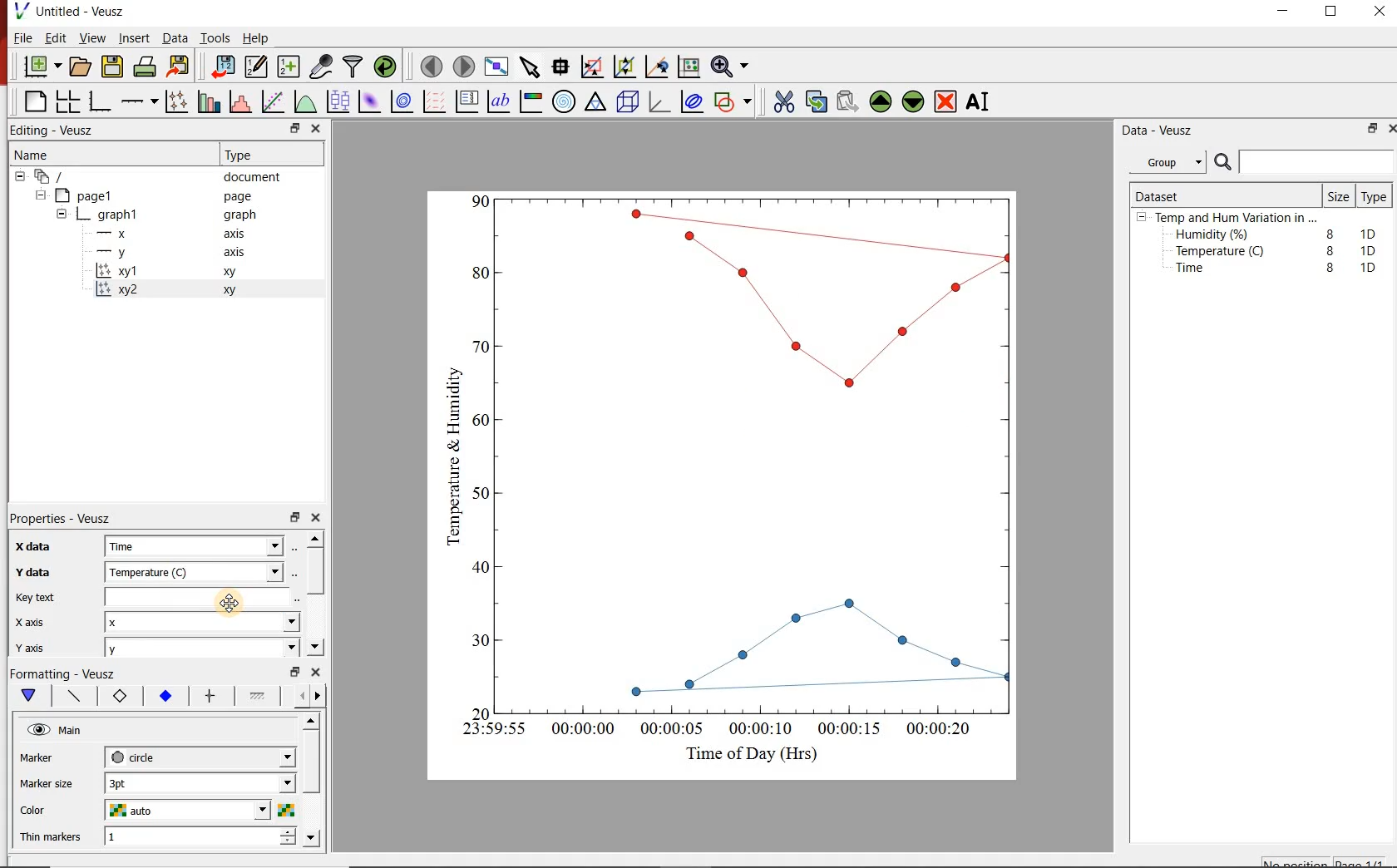 The width and height of the screenshot is (1397, 868). What do you see at coordinates (52, 811) in the screenshot?
I see `Color` at bounding box center [52, 811].